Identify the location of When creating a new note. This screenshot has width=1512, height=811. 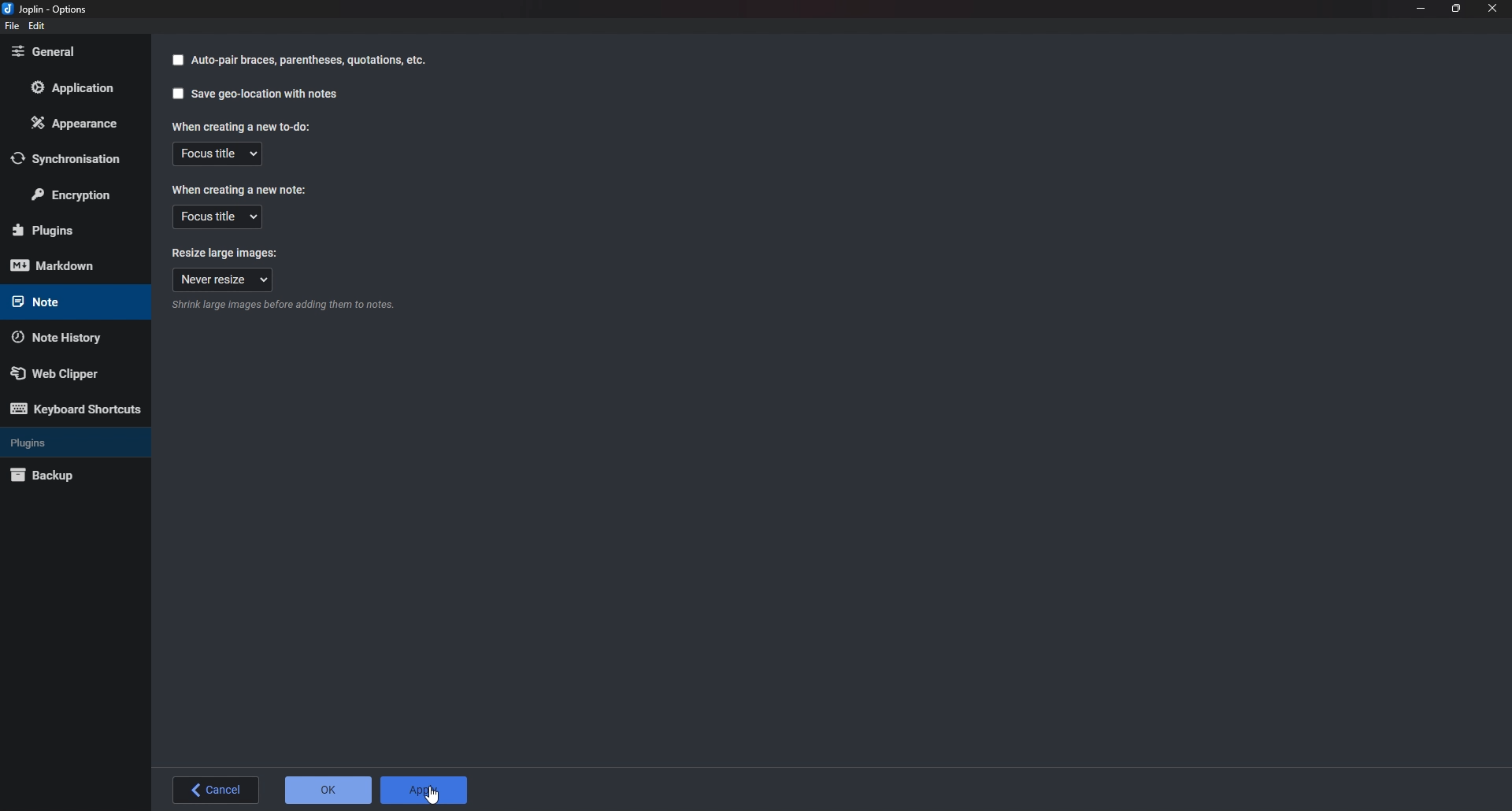
(241, 189).